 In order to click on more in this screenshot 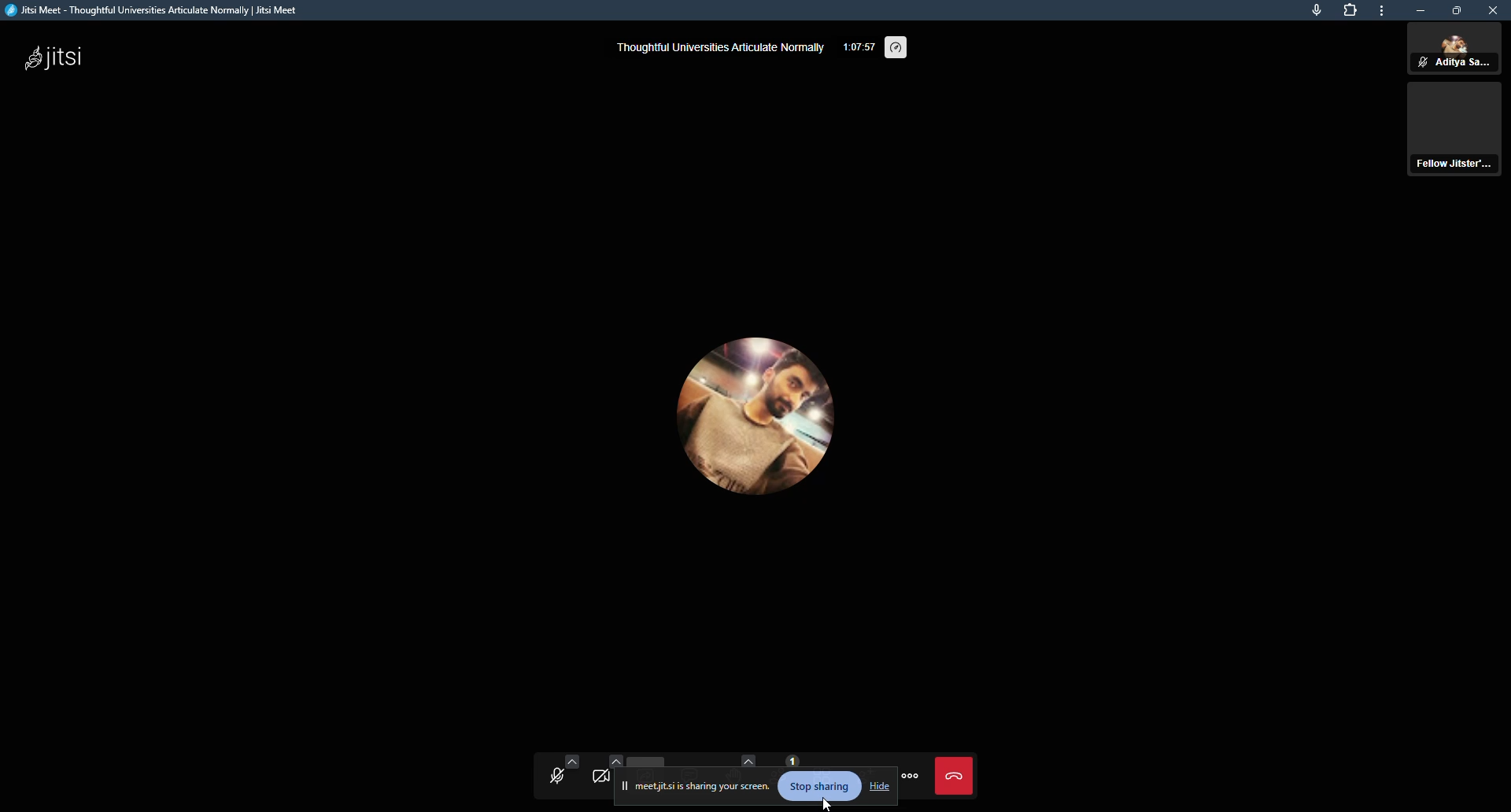, I will do `click(1384, 11)`.